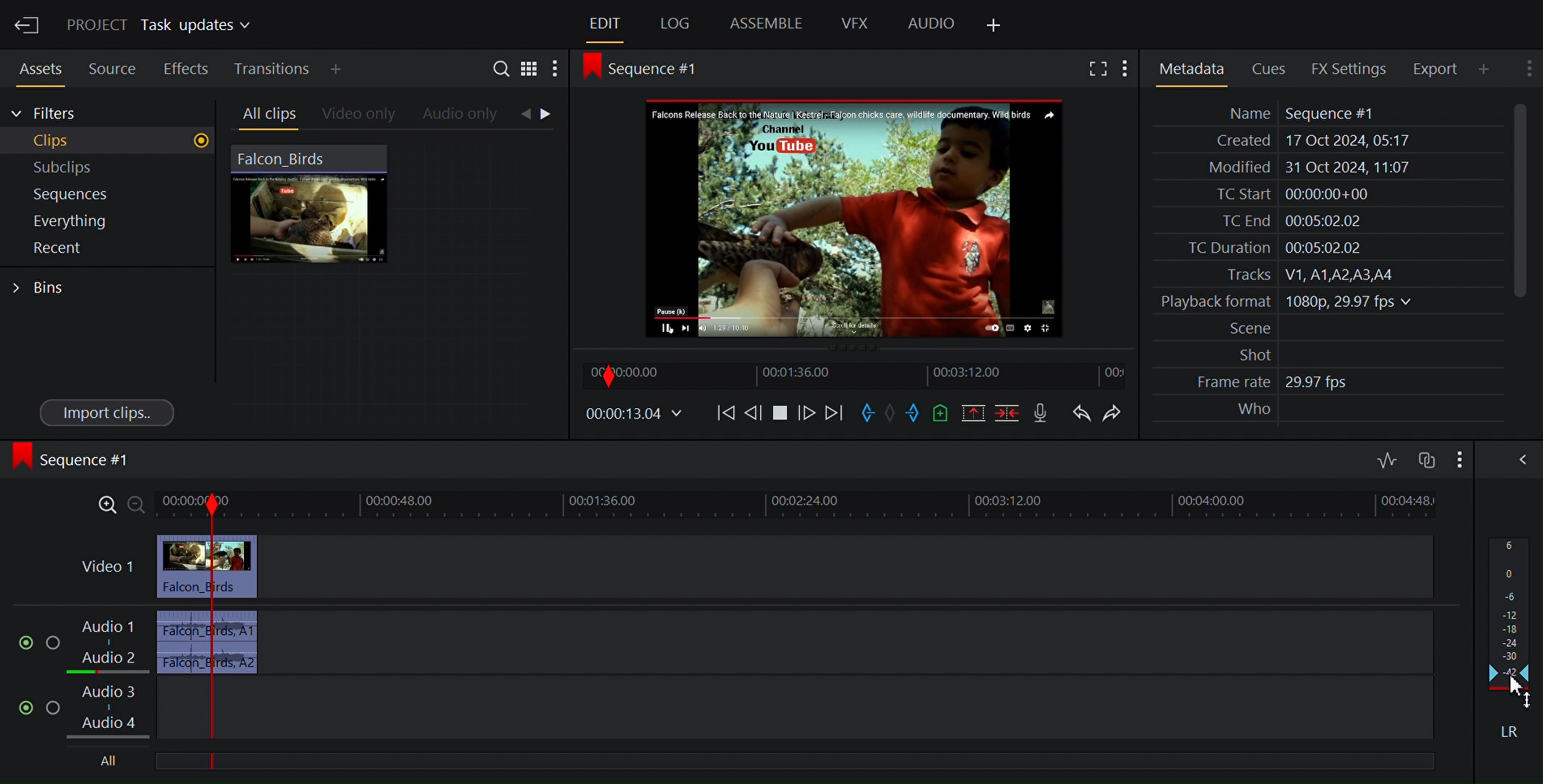 The width and height of the screenshot is (1543, 784). What do you see at coordinates (765, 24) in the screenshot?
I see `Assemble` at bounding box center [765, 24].